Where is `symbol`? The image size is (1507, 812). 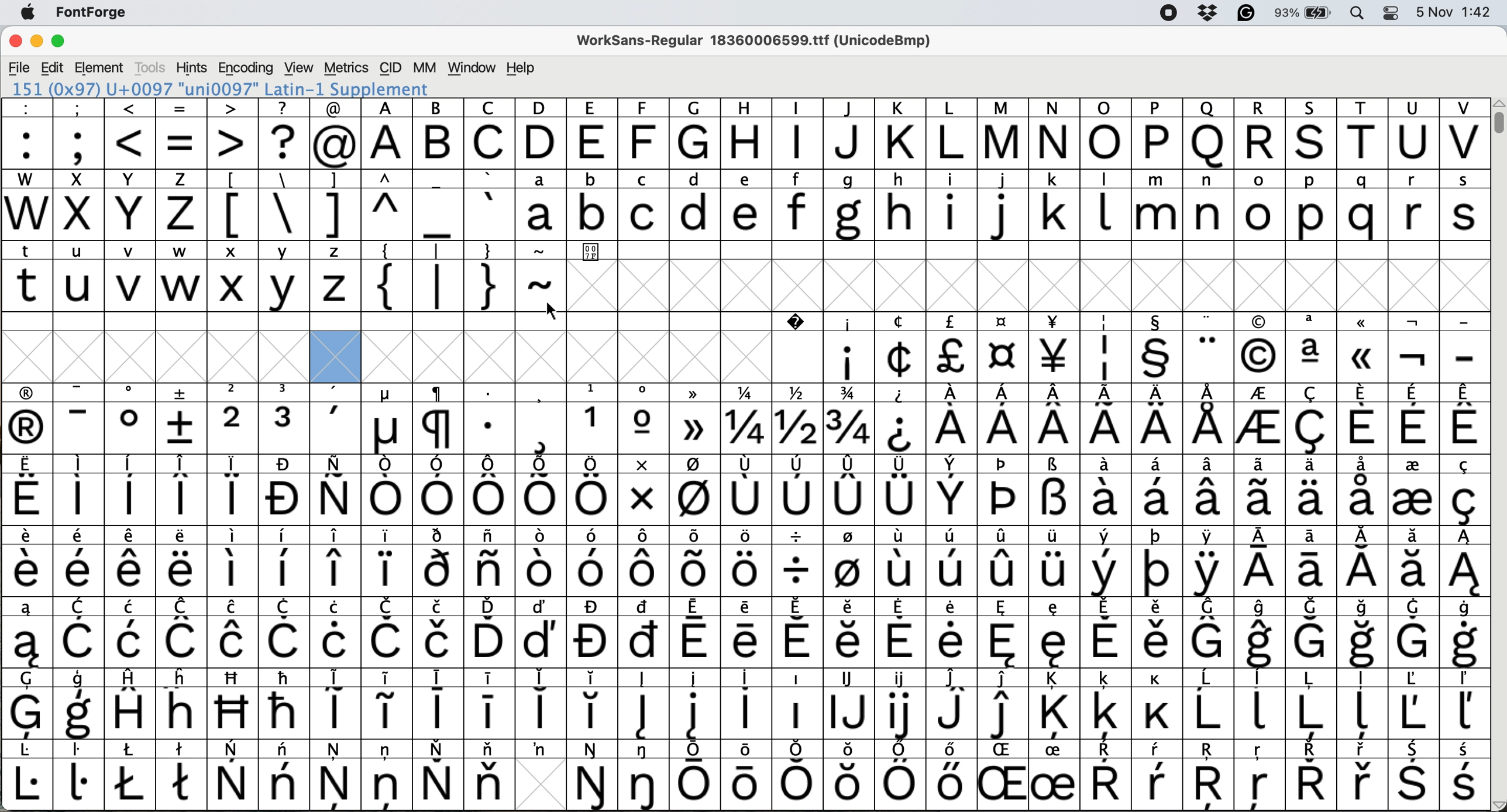 symbol is located at coordinates (1105, 632).